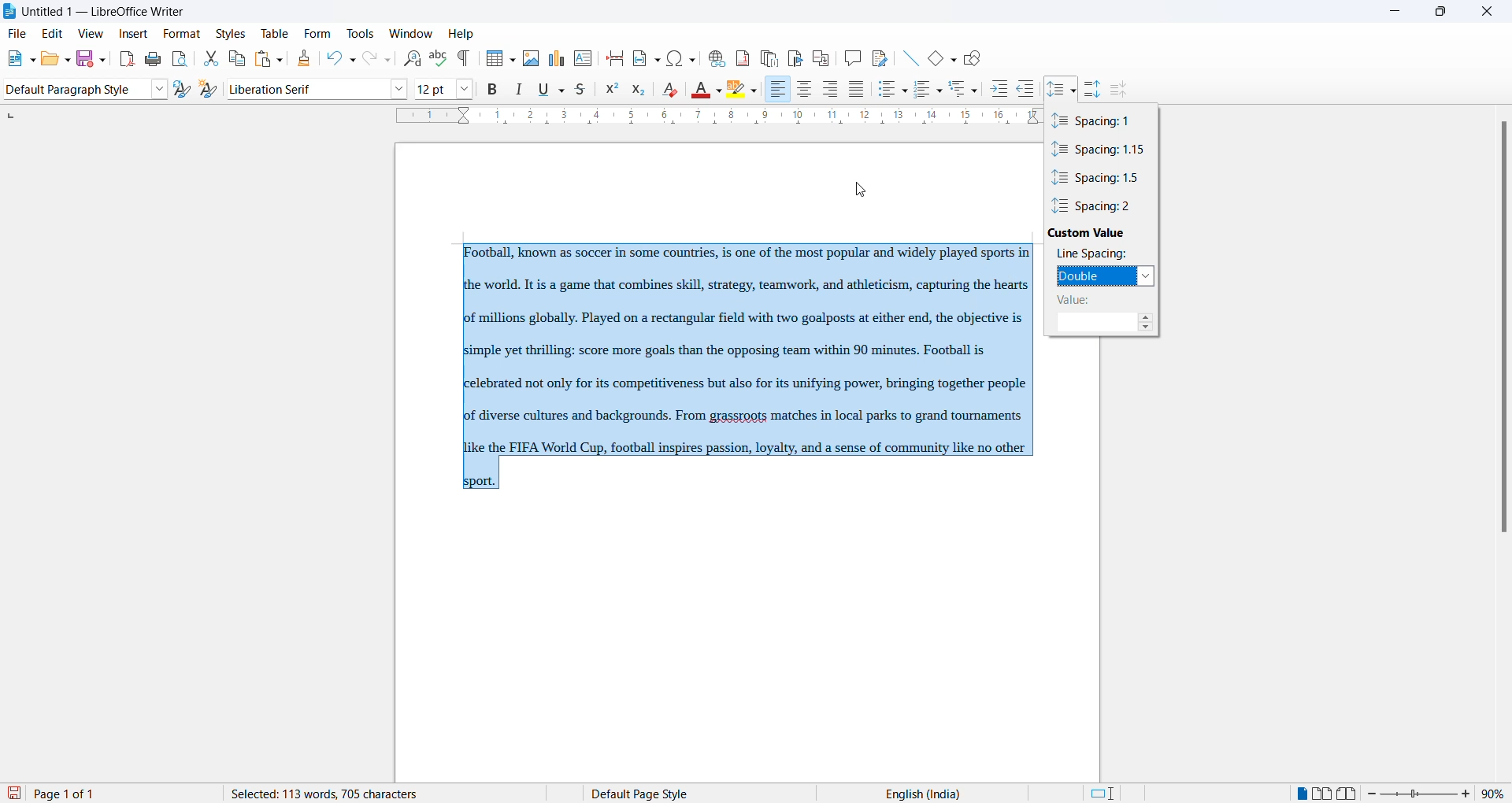 This screenshot has width=1512, height=803. I want to click on insert special character, so click(680, 60).